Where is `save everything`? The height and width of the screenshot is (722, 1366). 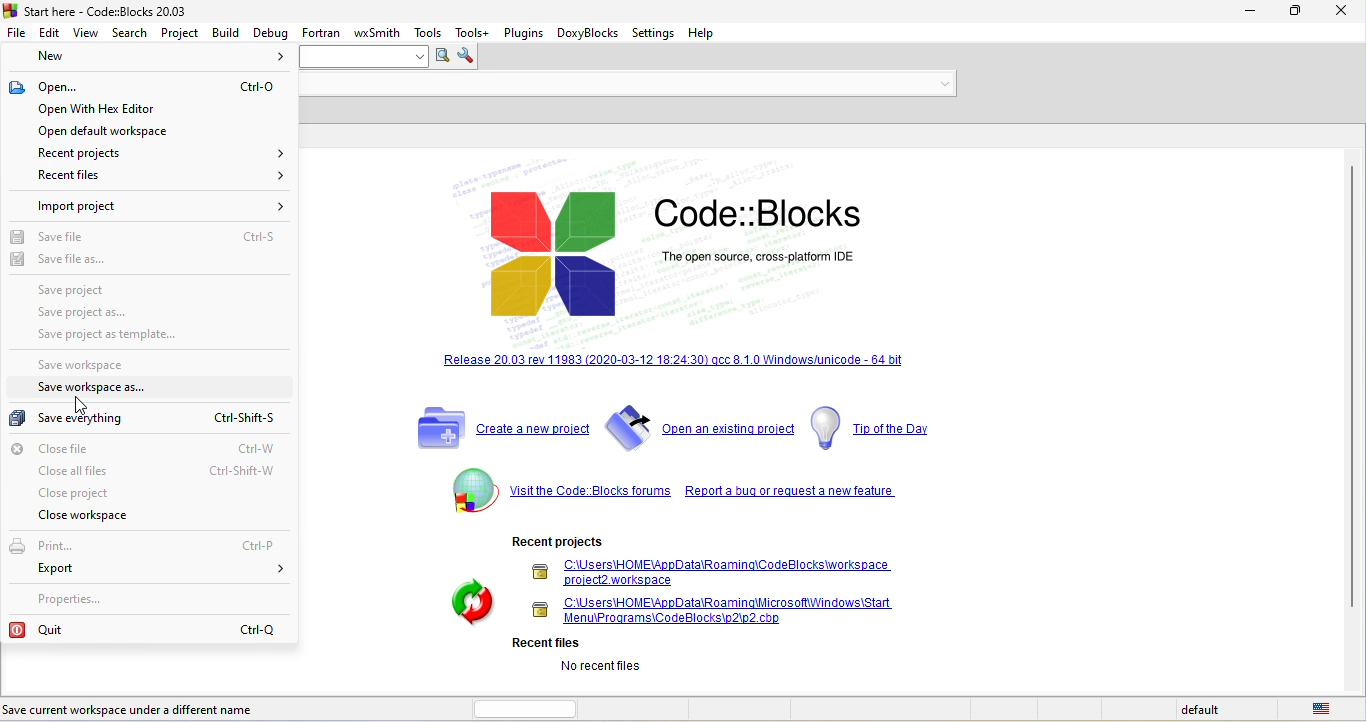 save everything is located at coordinates (140, 418).